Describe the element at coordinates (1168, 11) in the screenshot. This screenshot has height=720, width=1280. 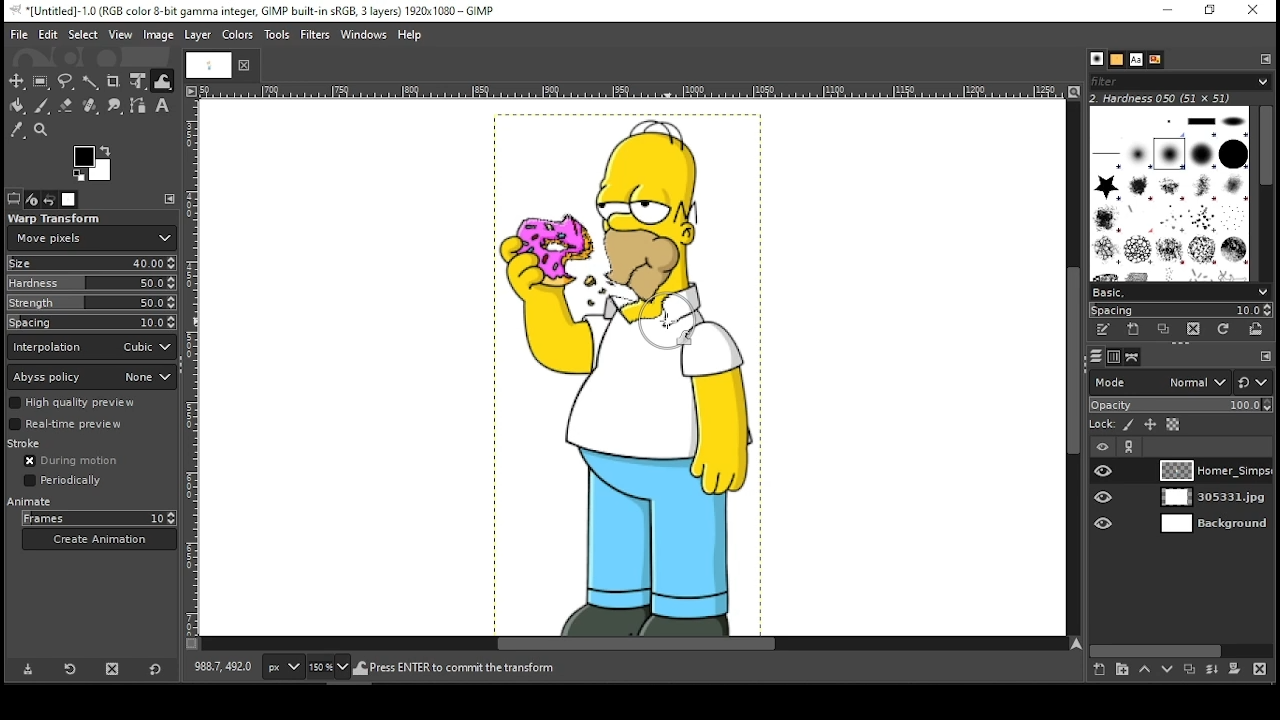
I see `minimize` at that location.